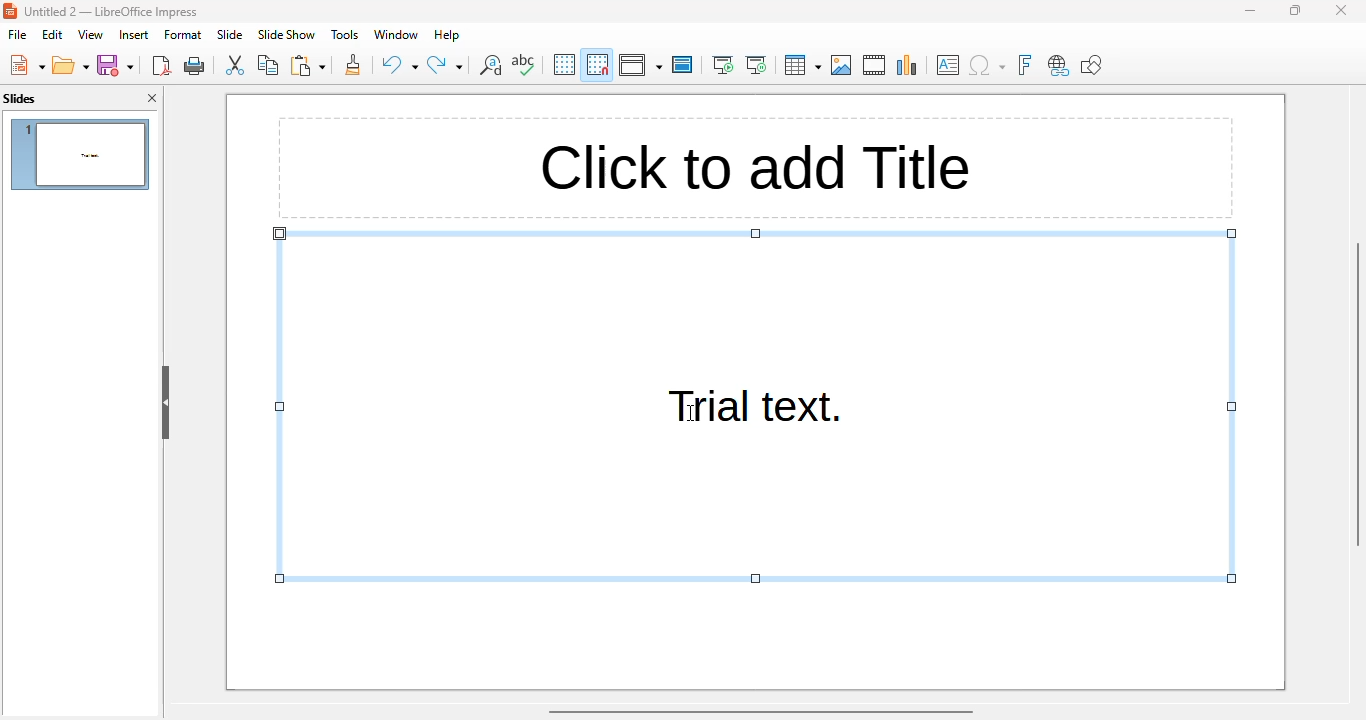 Image resolution: width=1366 pixels, height=720 pixels. Describe the element at coordinates (445, 65) in the screenshot. I see `redo` at that location.